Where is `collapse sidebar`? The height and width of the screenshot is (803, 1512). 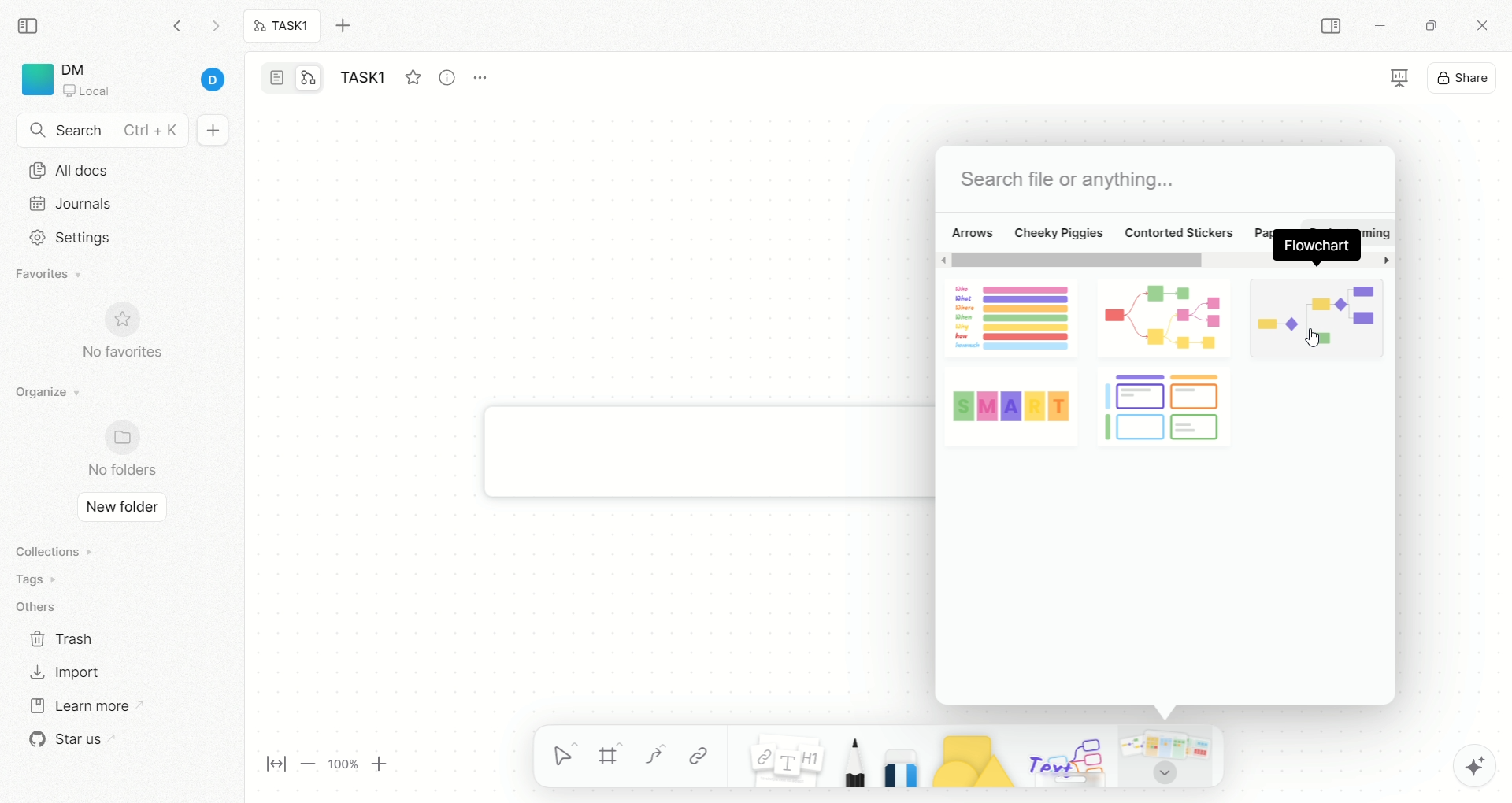 collapse sidebar is located at coordinates (32, 24).